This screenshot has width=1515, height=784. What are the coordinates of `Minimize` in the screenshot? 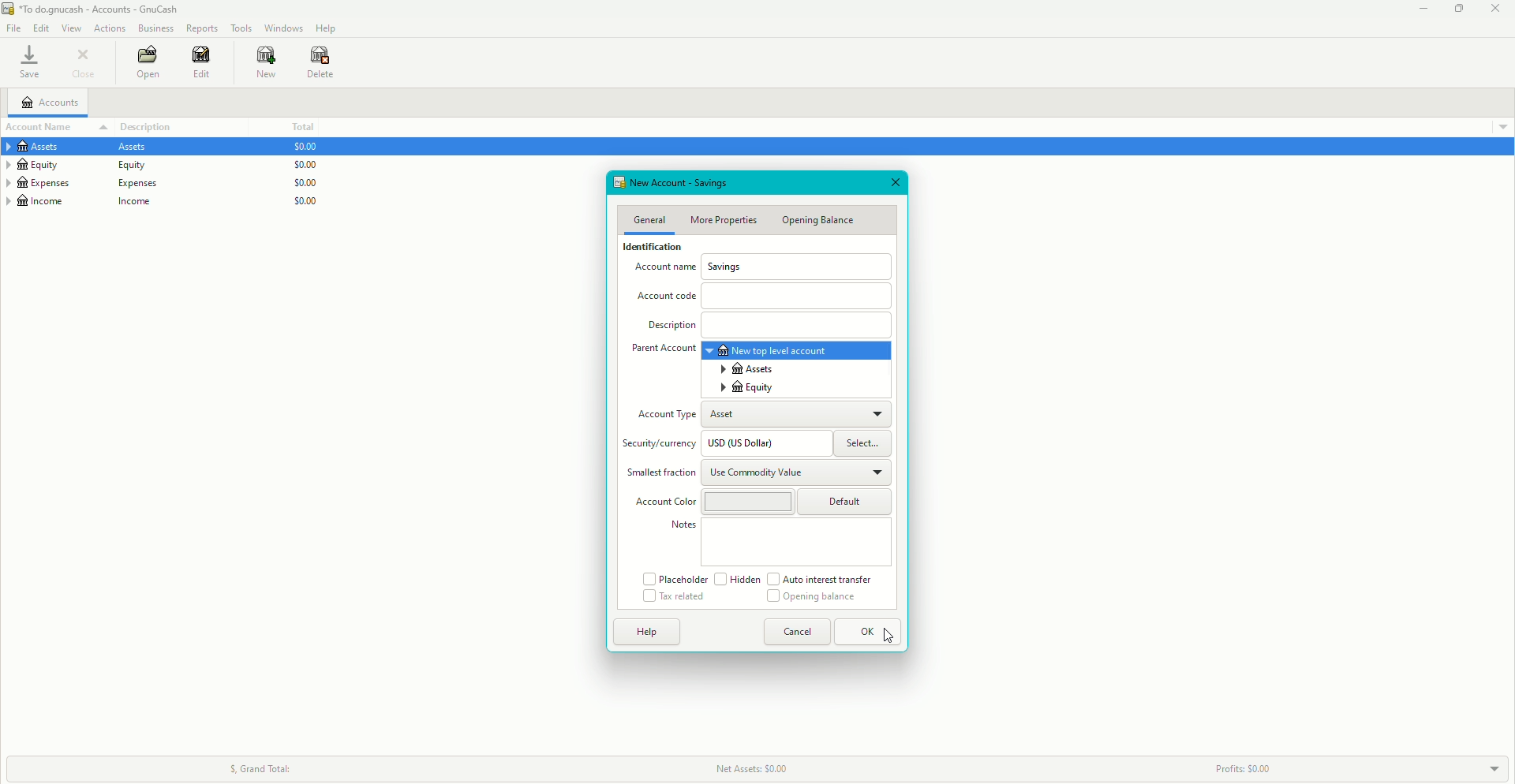 It's located at (1419, 9).